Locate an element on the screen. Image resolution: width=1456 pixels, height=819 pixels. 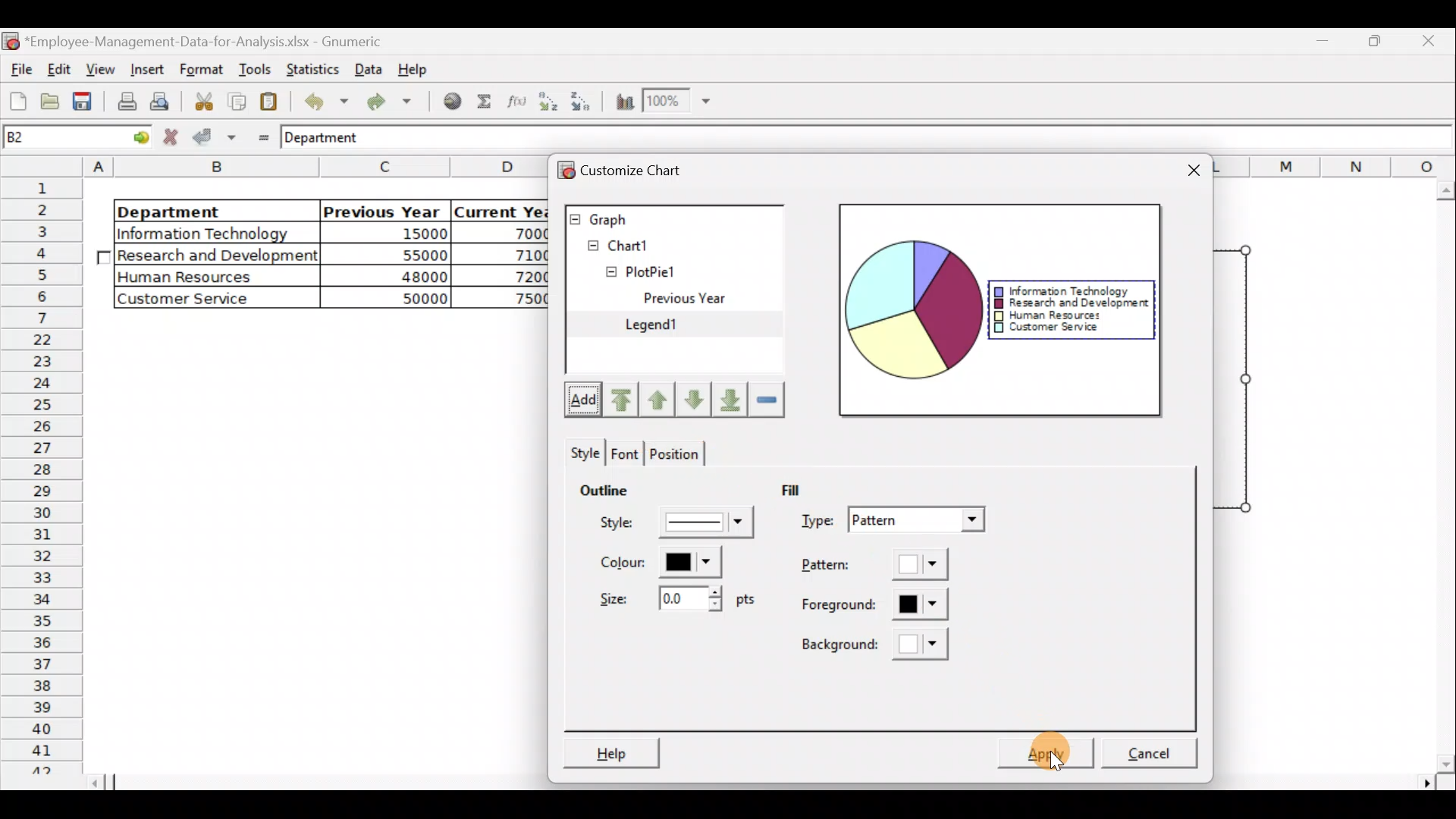
Edit a function in the current cell is located at coordinates (516, 101).